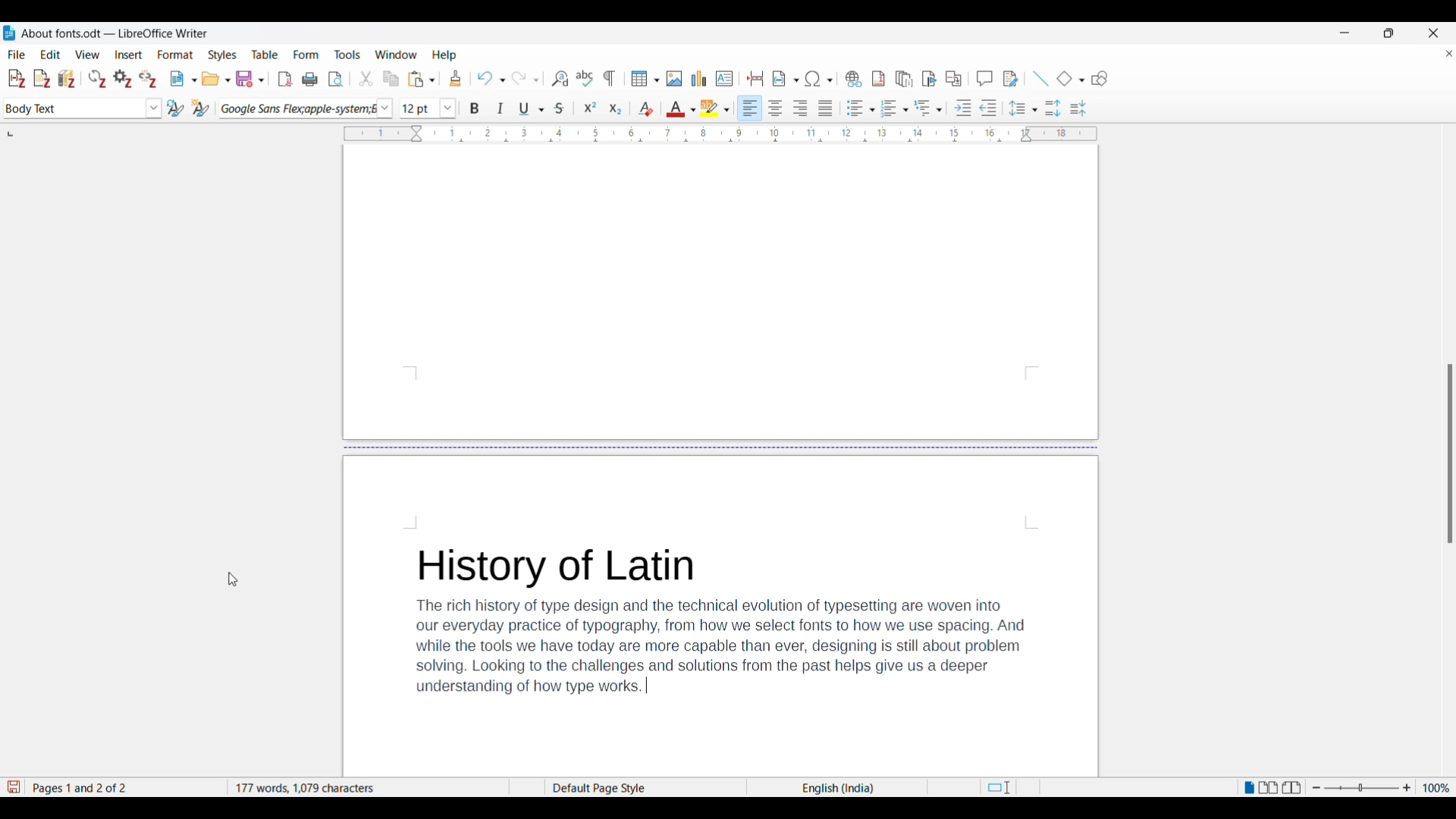 This screenshot has width=1456, height=819. I want to click on Clear direct formatting , so click(646, 108).